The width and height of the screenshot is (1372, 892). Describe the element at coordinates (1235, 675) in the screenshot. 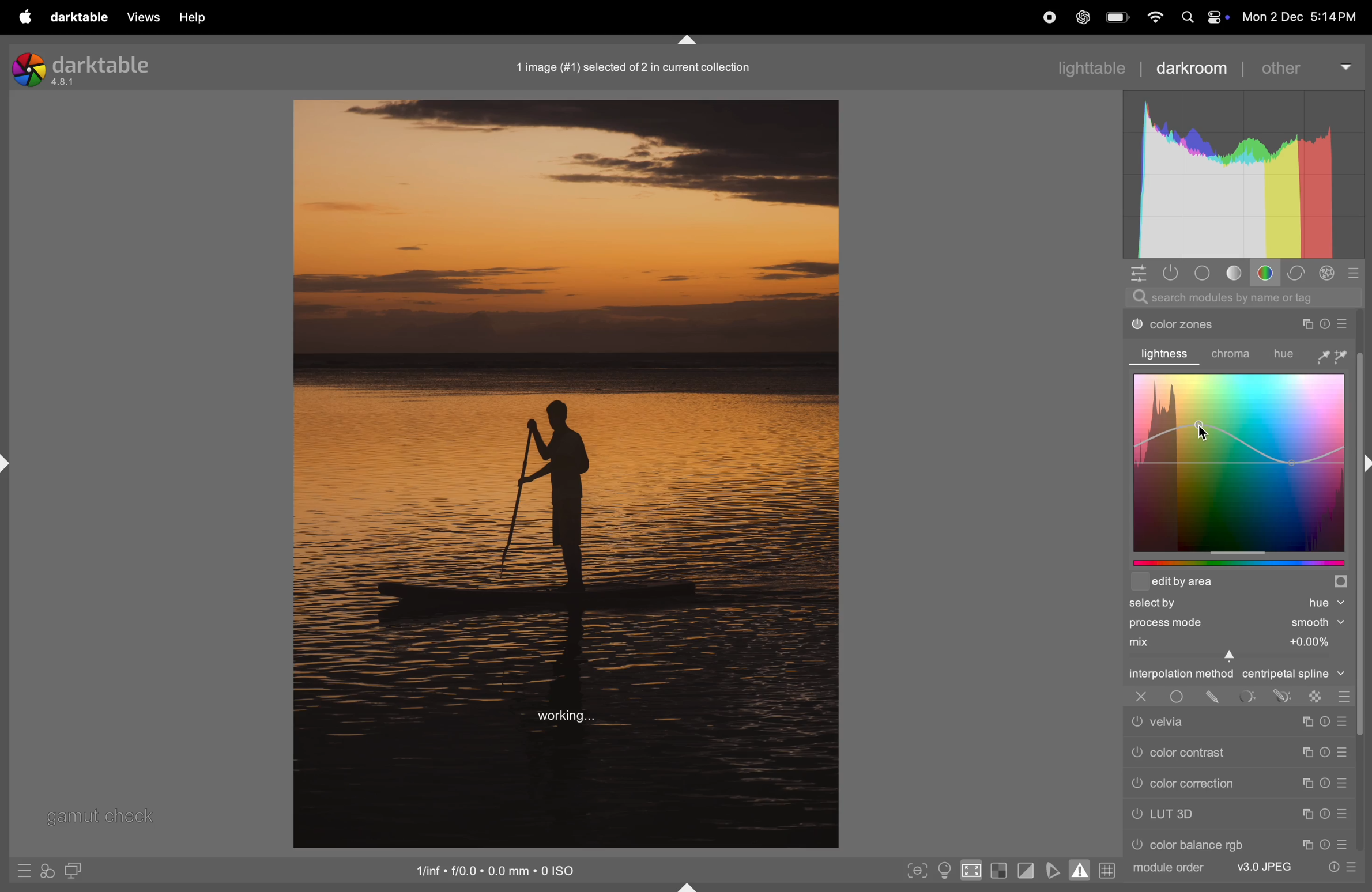

I see `interpolation central spline` at that location.